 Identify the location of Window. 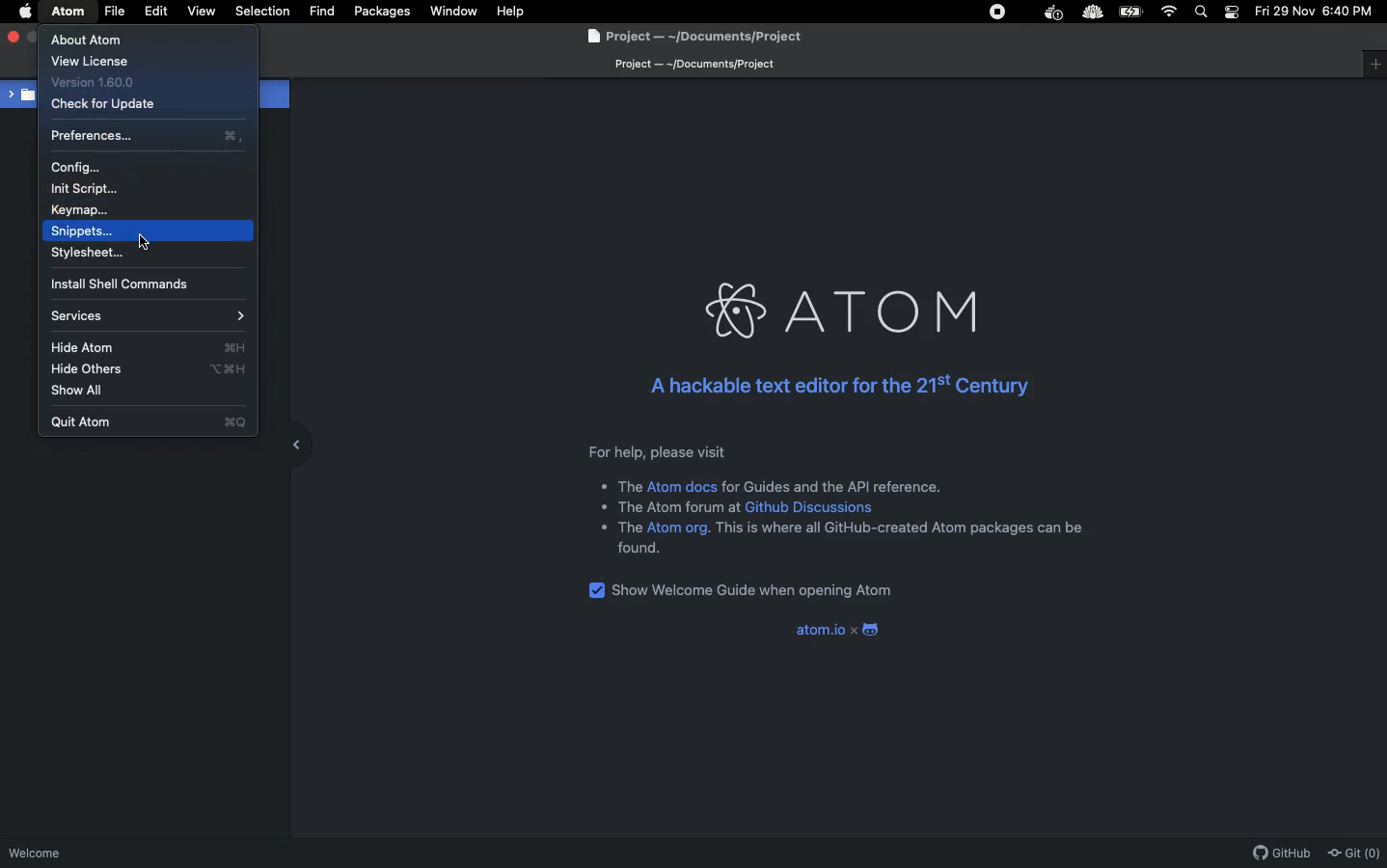
(457, 12).